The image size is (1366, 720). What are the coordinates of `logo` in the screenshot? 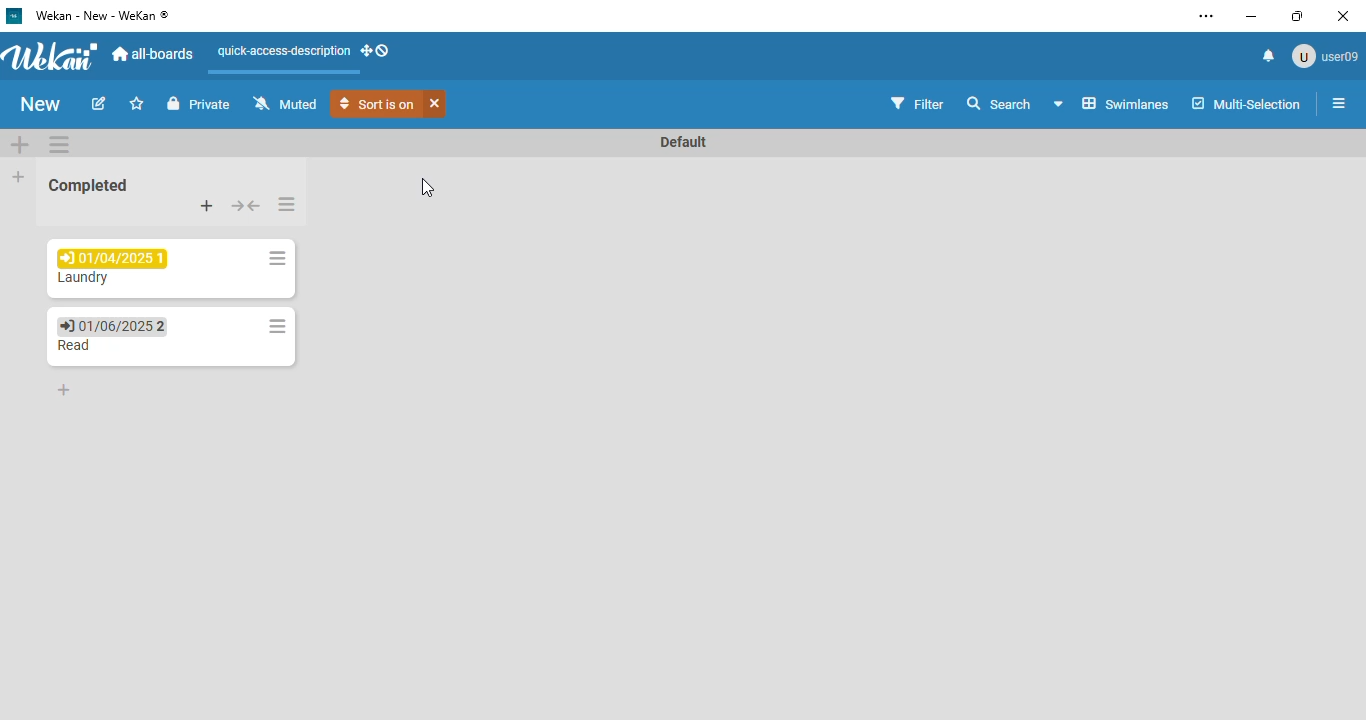 It's located at (15, 15).